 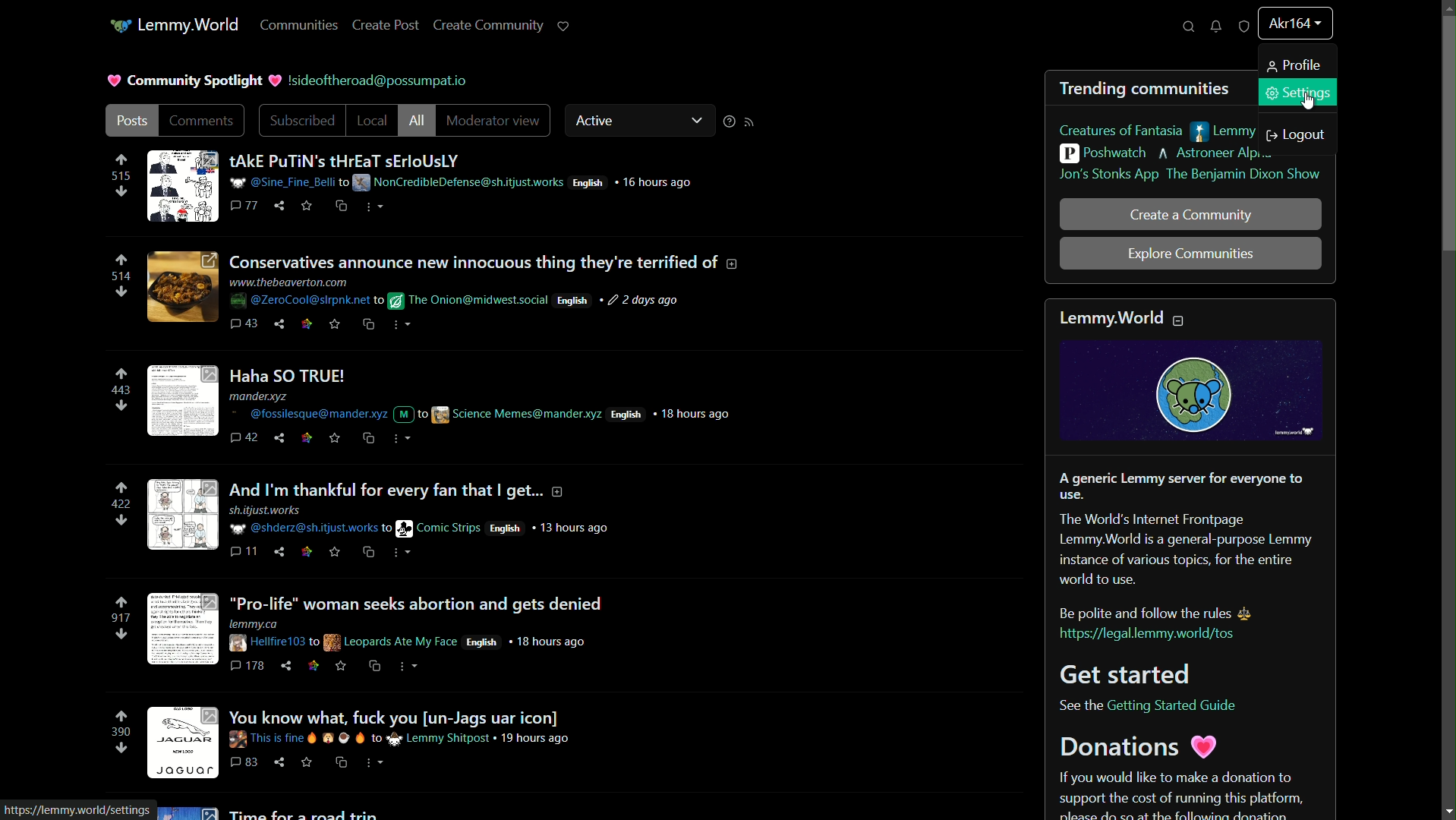 I want to click on profile name, so click(x=1294, y=22).